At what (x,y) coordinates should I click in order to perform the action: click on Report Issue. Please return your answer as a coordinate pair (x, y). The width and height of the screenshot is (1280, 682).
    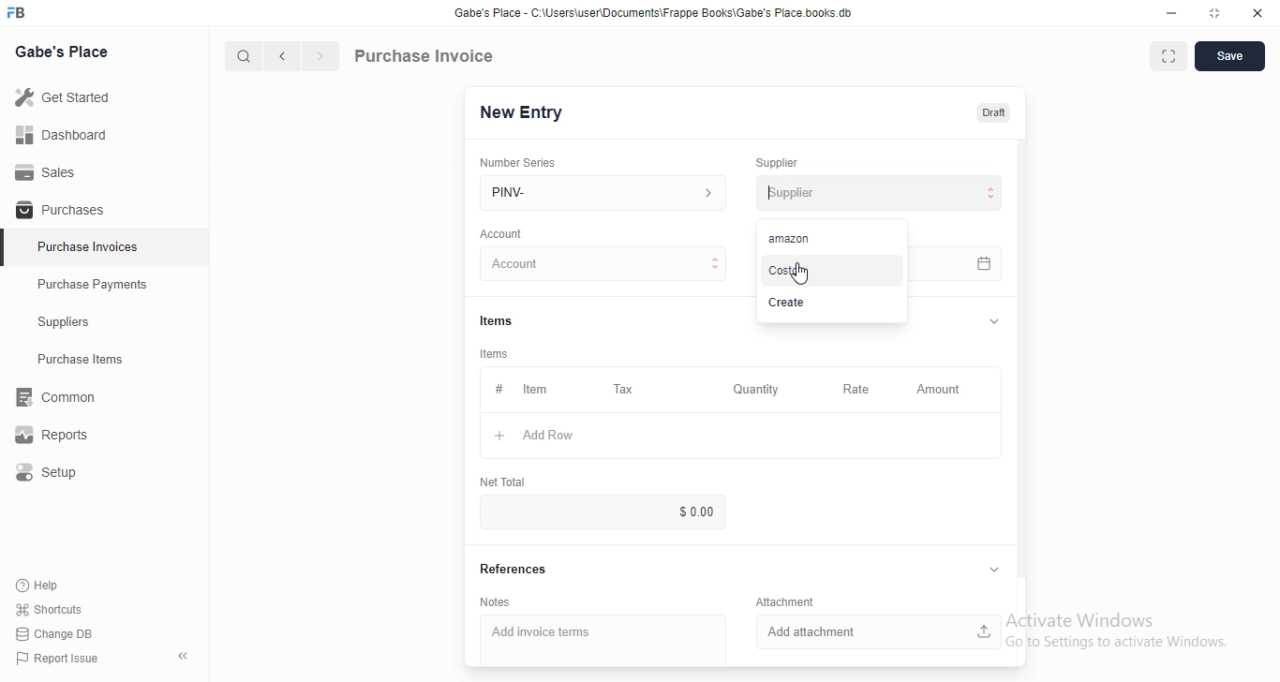
    Looking at the image, I should click on (58, 658).